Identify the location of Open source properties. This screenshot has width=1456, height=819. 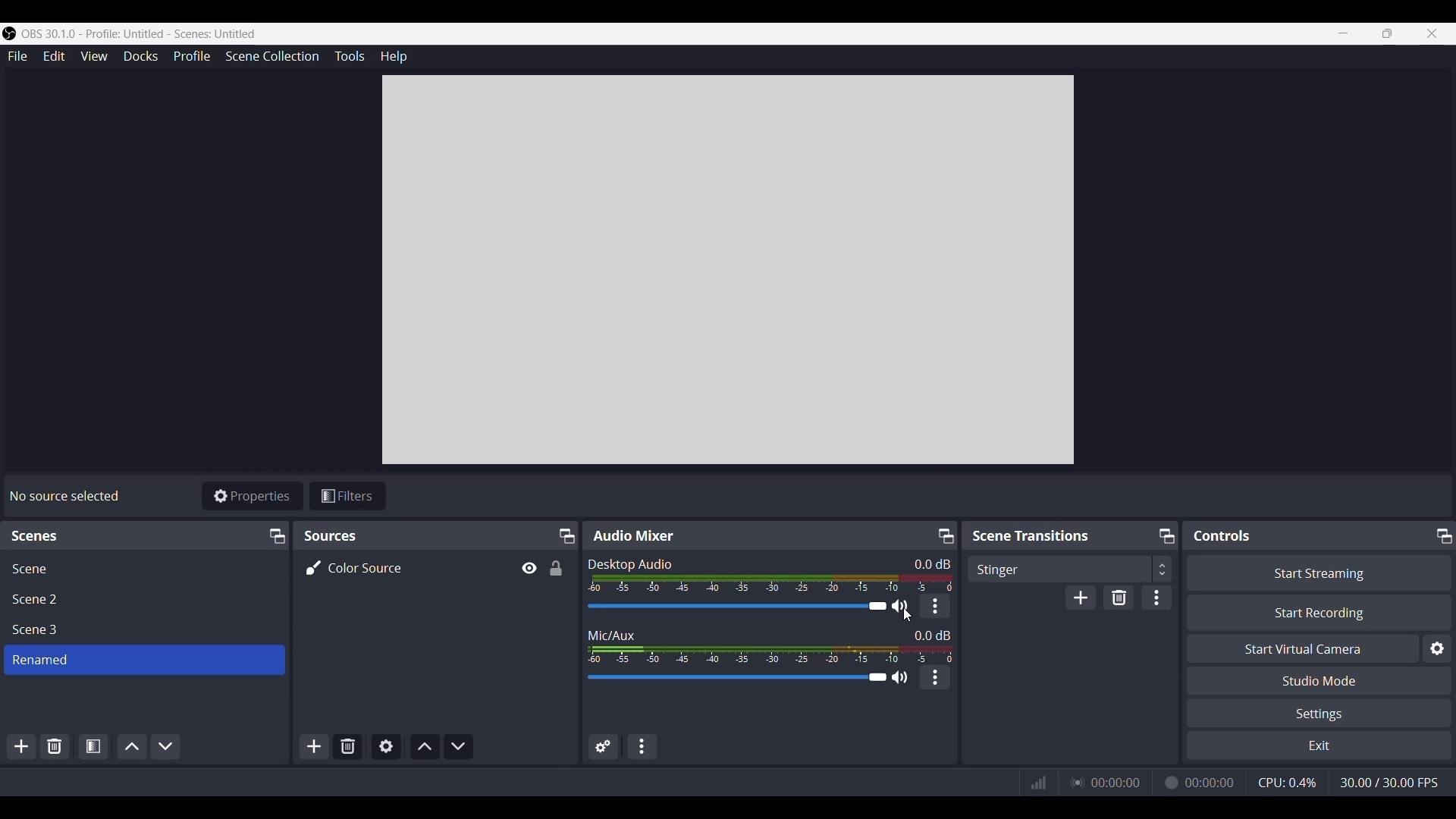
(385, 747).